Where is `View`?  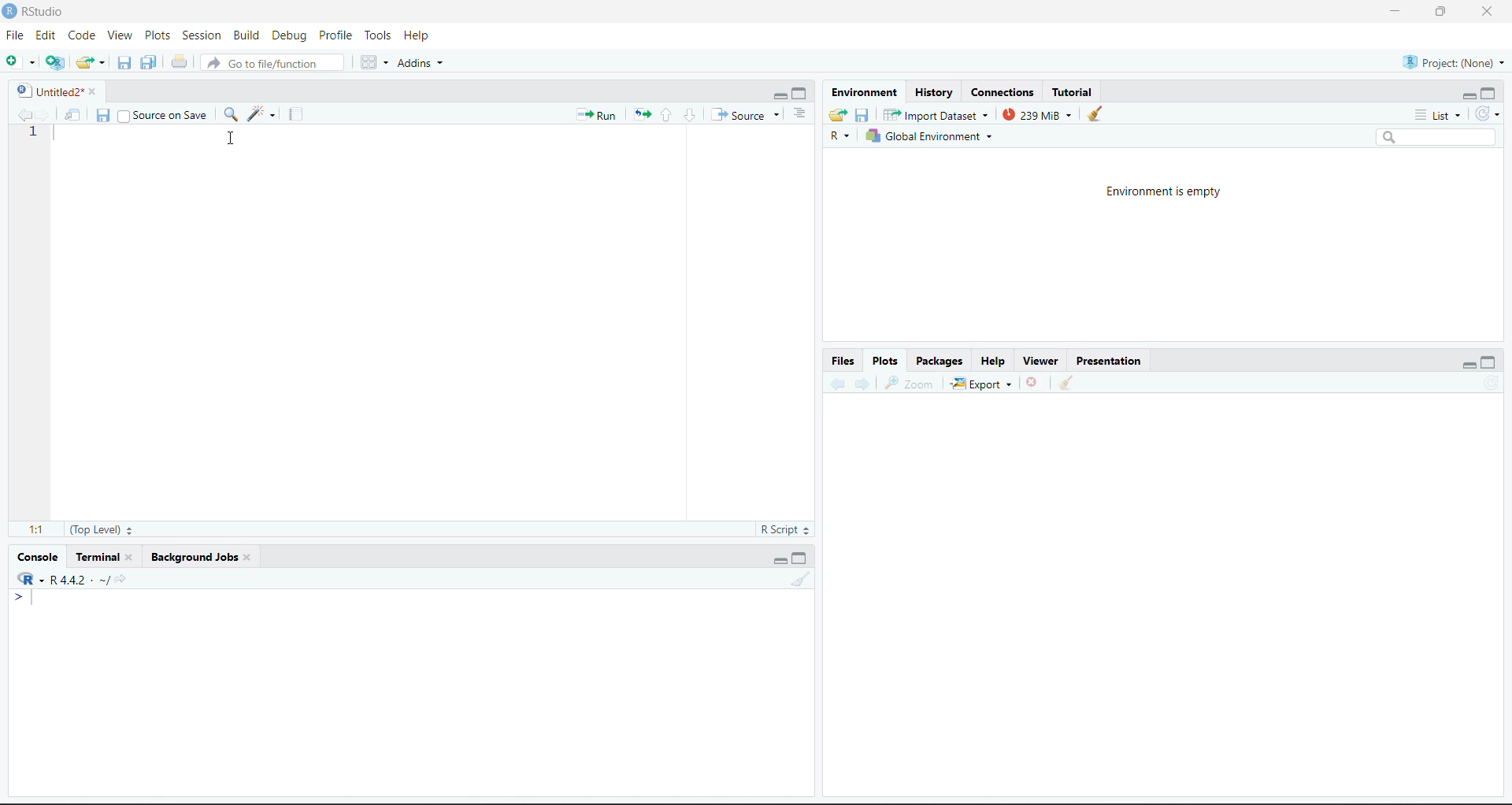
View is located at coordinates (123, 35).